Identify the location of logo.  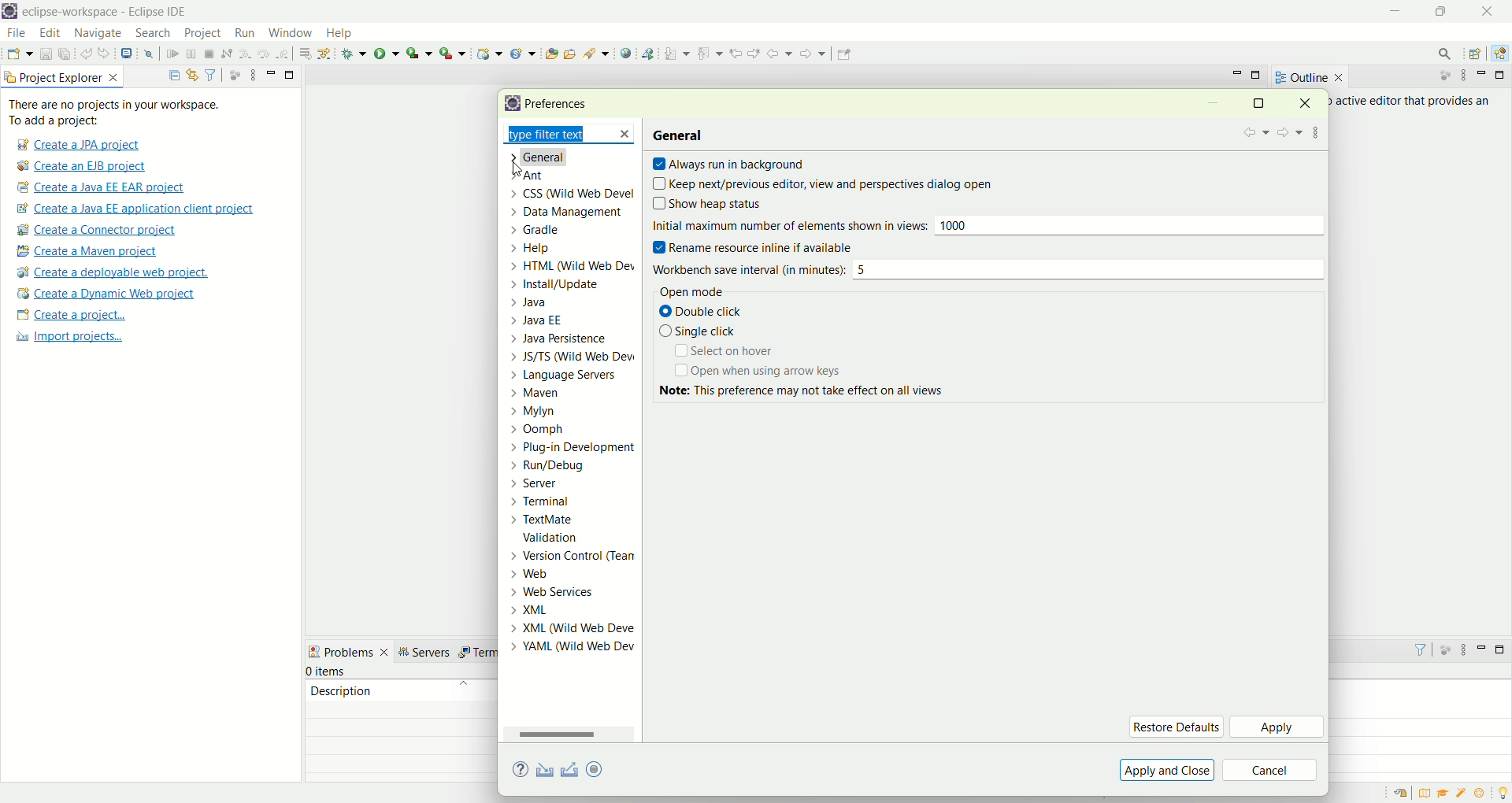
(9, 13).